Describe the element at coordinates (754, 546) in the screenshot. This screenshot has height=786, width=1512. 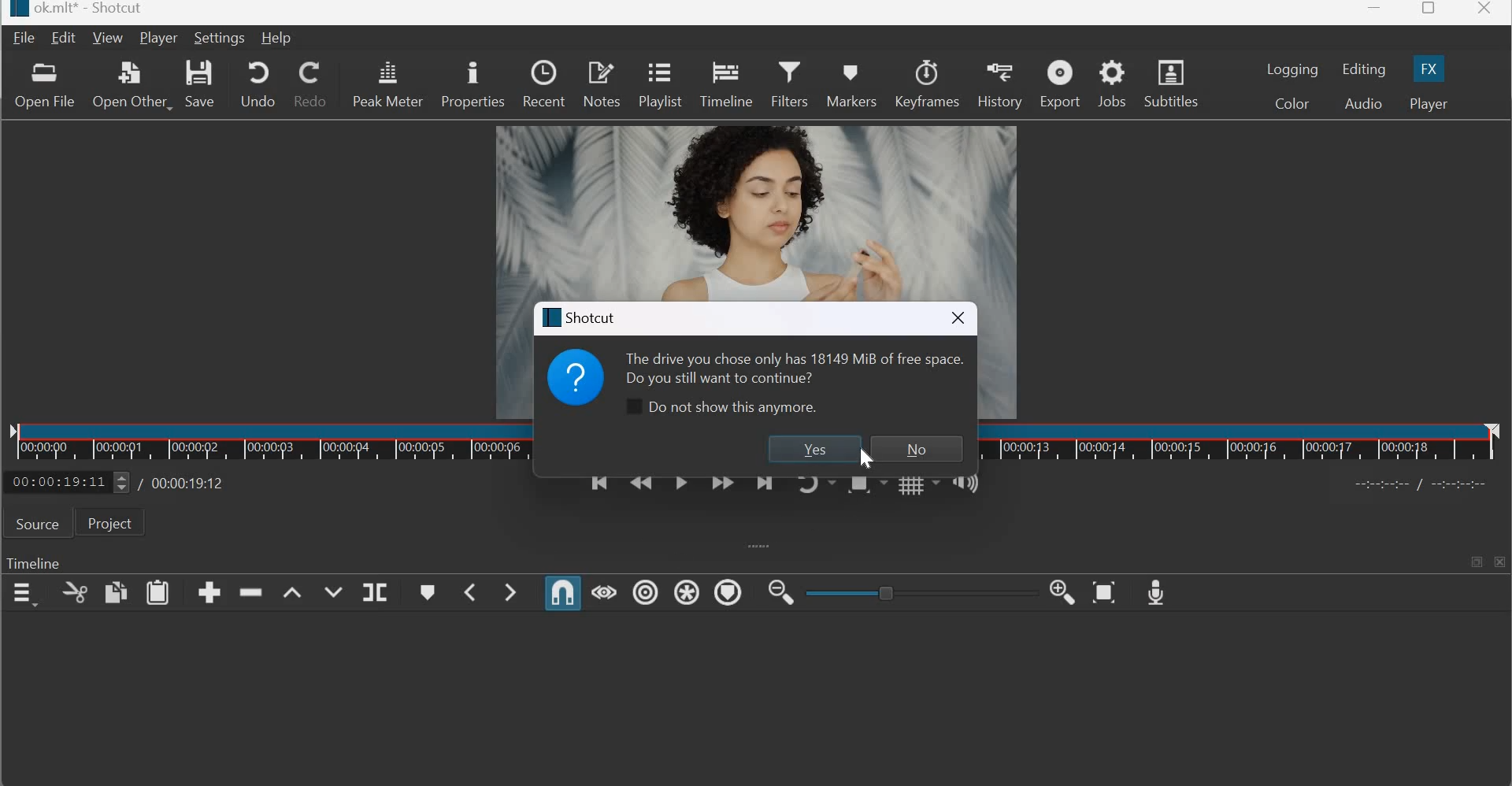
I see `expand` at that location.